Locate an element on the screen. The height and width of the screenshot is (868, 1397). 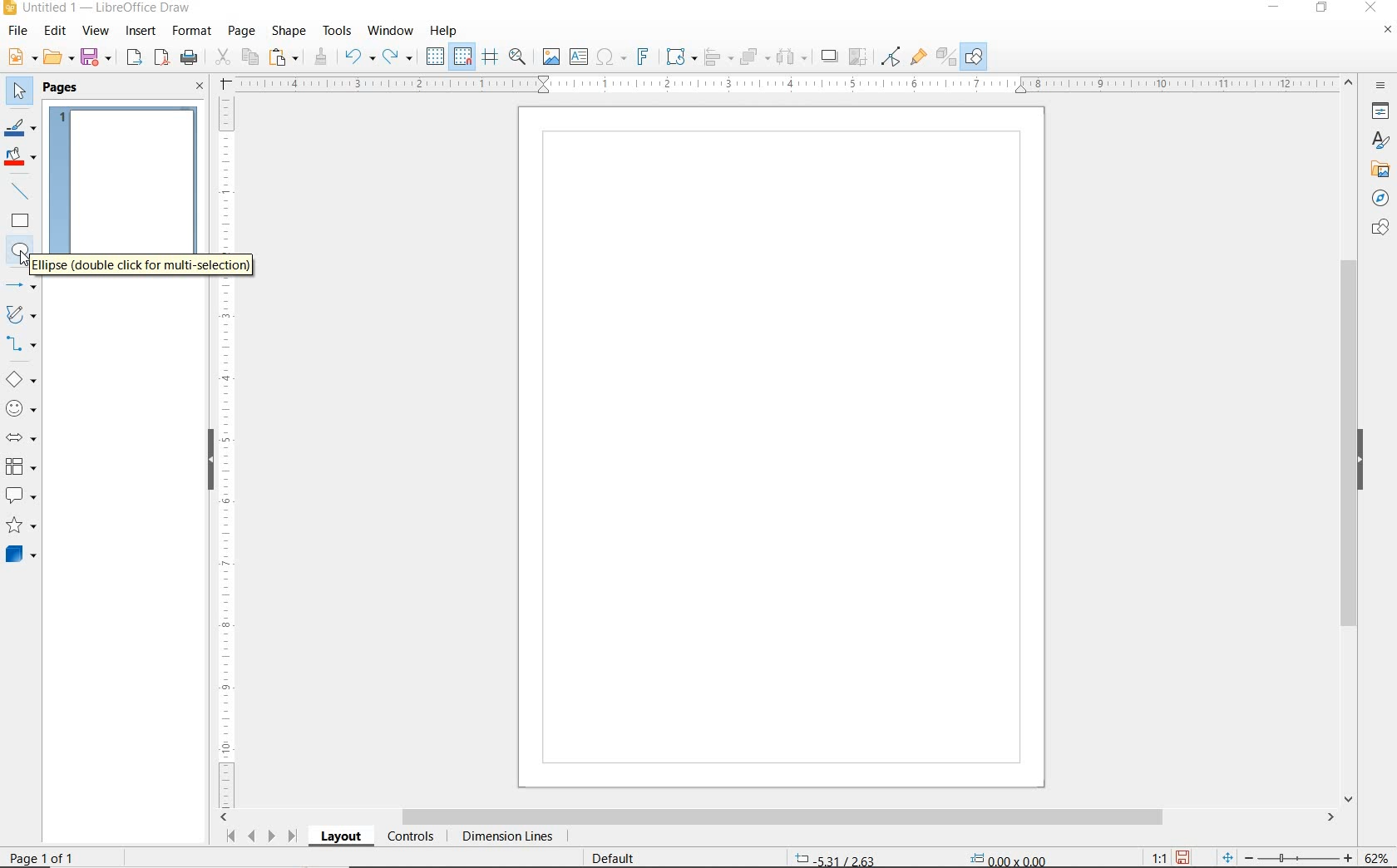
CALLOUT SHAPES is located at coordinates (20, 496).